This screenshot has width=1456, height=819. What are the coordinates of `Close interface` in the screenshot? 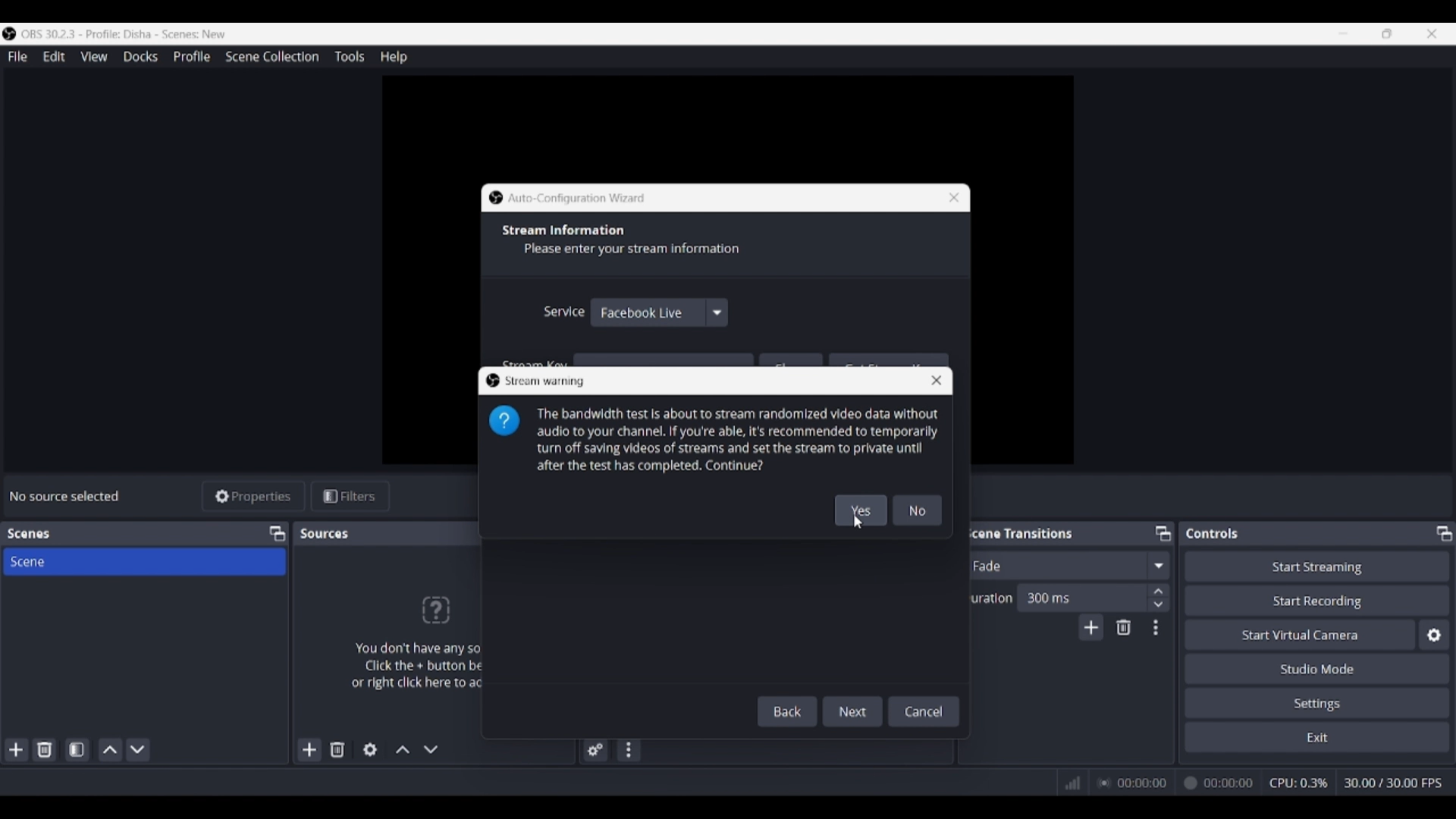 It's located at (1432, 33).